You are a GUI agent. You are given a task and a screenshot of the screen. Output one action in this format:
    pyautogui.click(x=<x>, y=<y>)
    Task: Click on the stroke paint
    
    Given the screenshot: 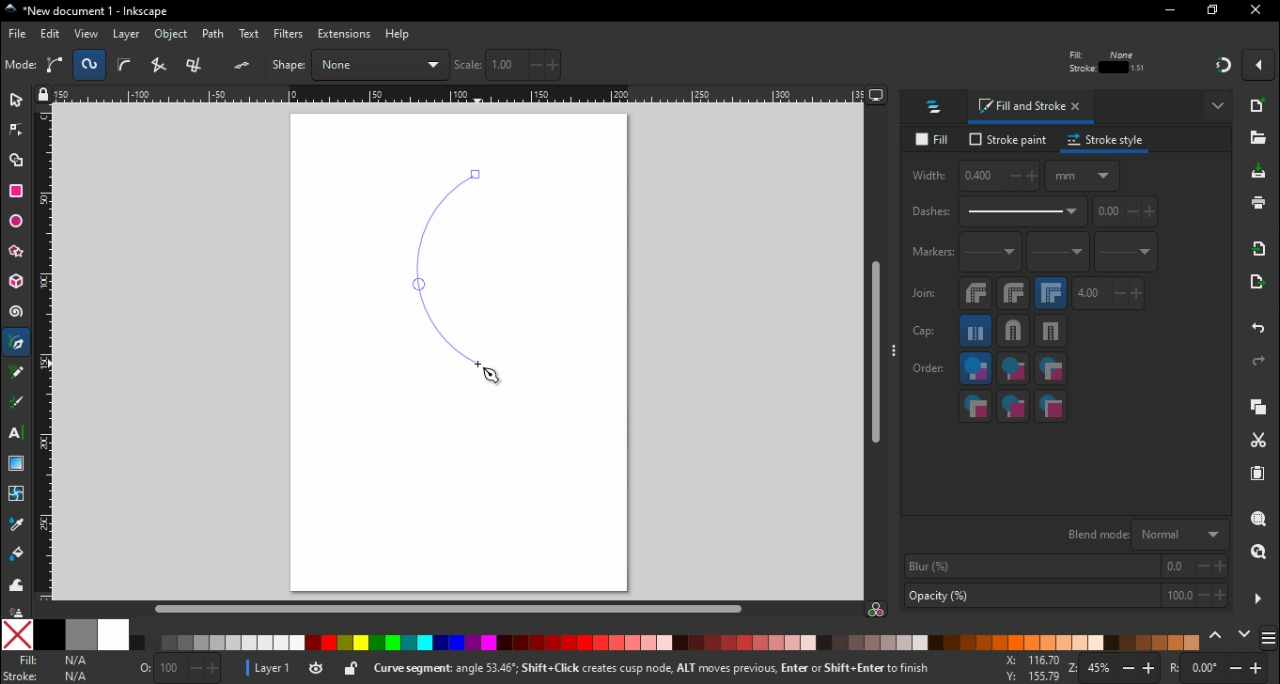 What is the action you would take?
    pyautogui.click(x=1006, y=141)
    